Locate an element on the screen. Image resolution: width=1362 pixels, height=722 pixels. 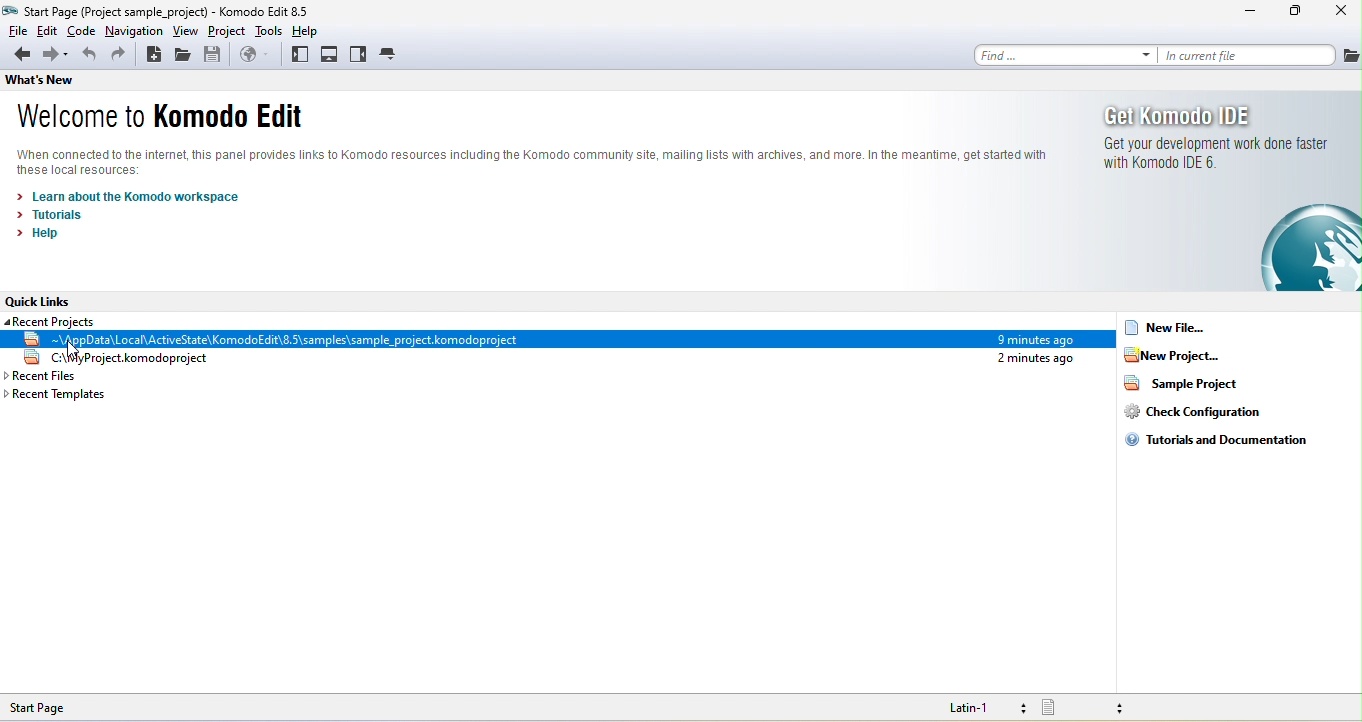
back  is located at coordinates (18, 53).